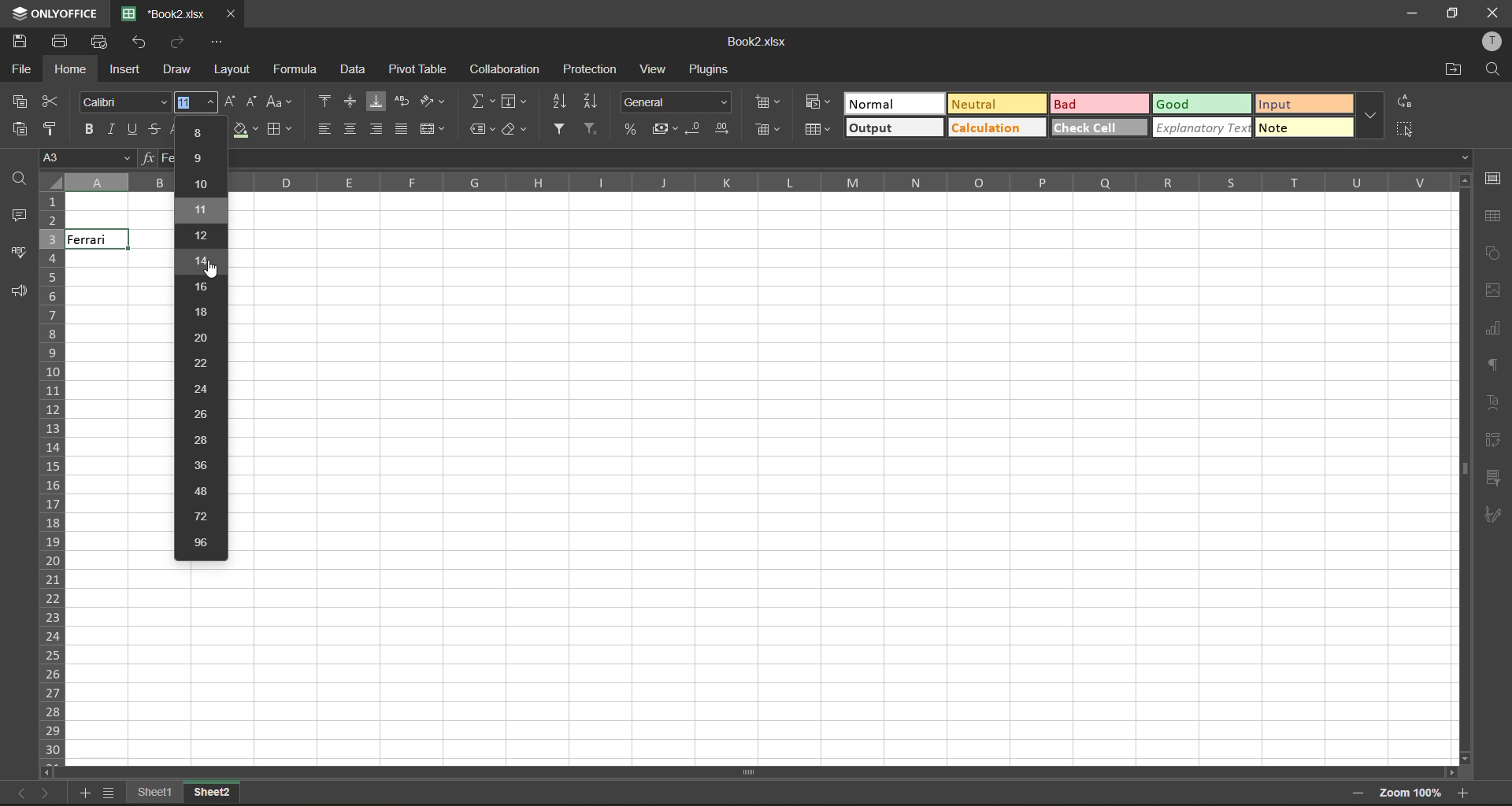 The height and width of the screenshot is (806, 1512). I want to click on explanatory text, so click(1203, 128).